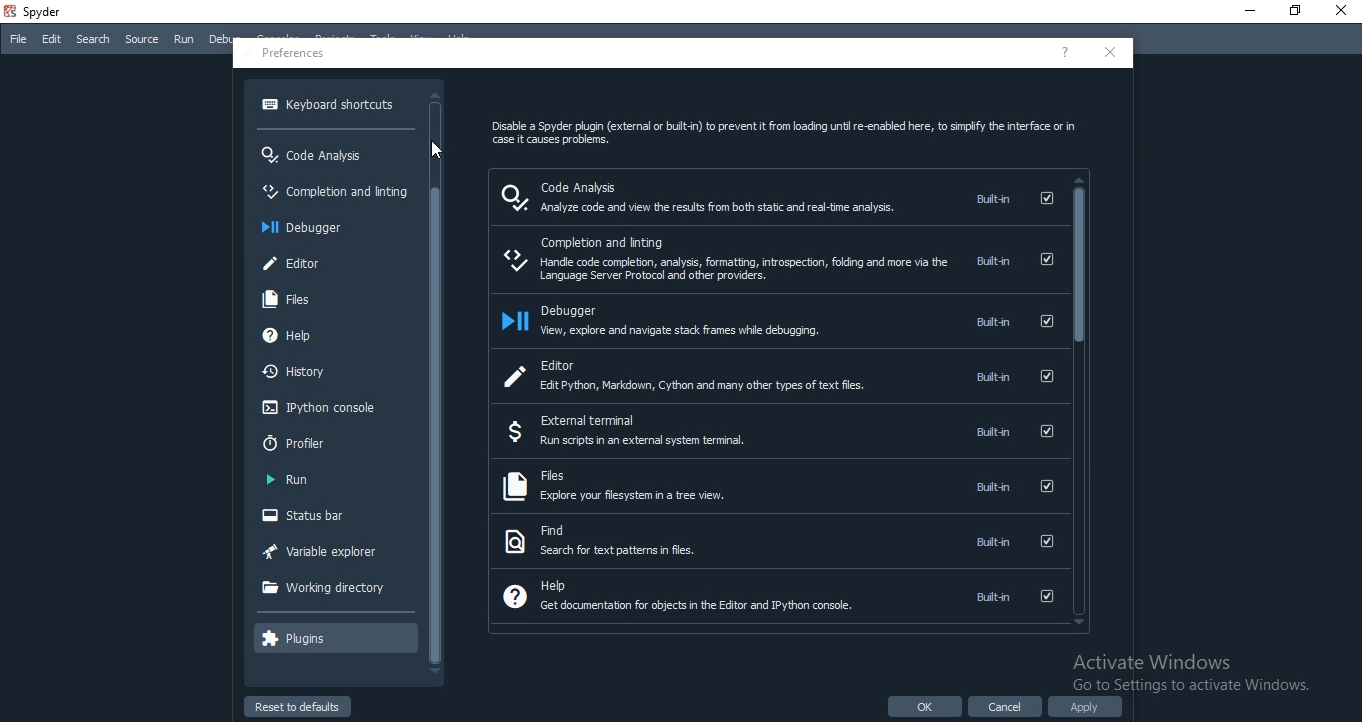  Describe the element at coordinates (1007, 709) in the screenshot. I see `cancel ` at that location.